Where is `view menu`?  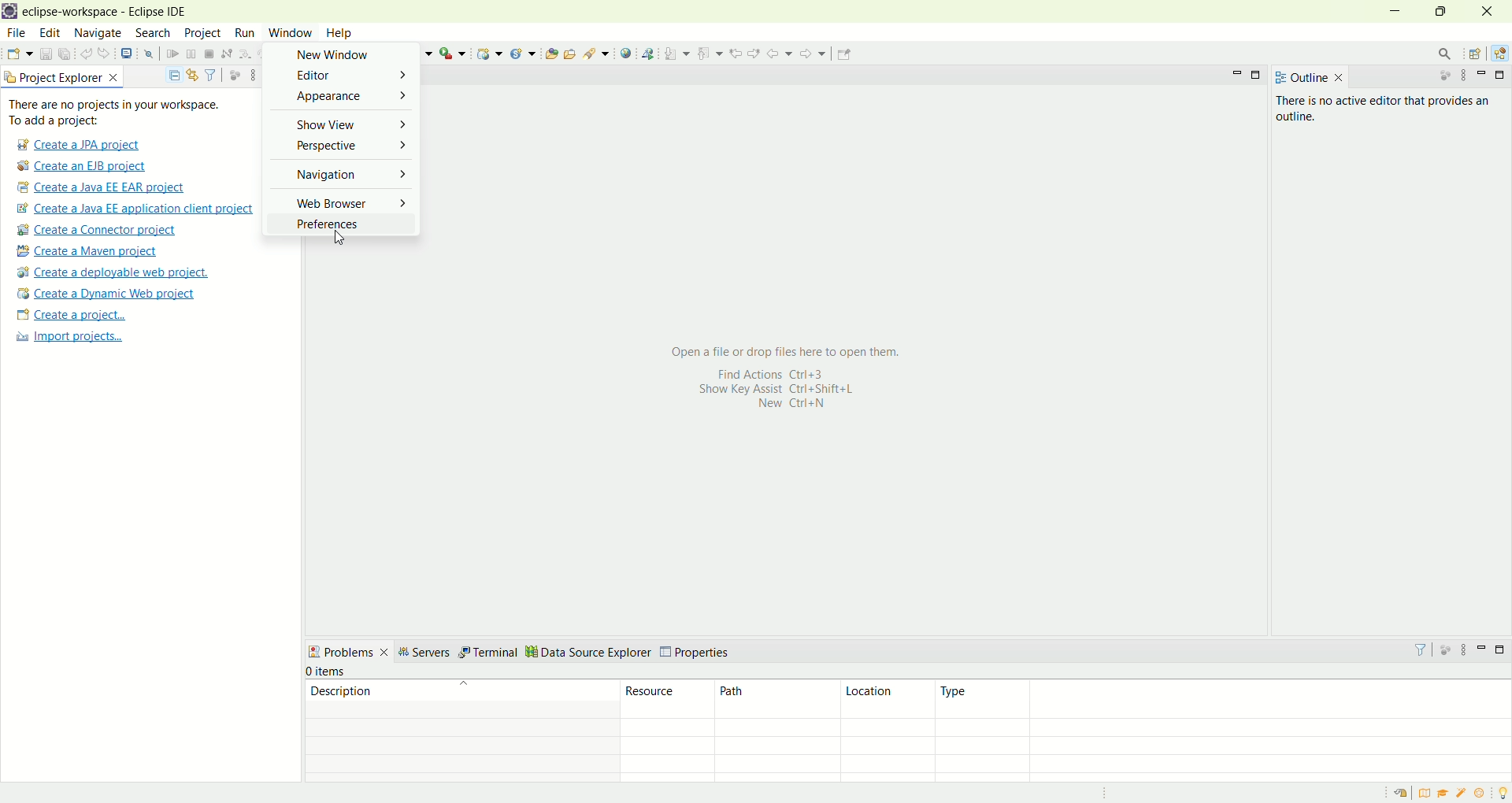
view menu is located at coordinates (251, 74).